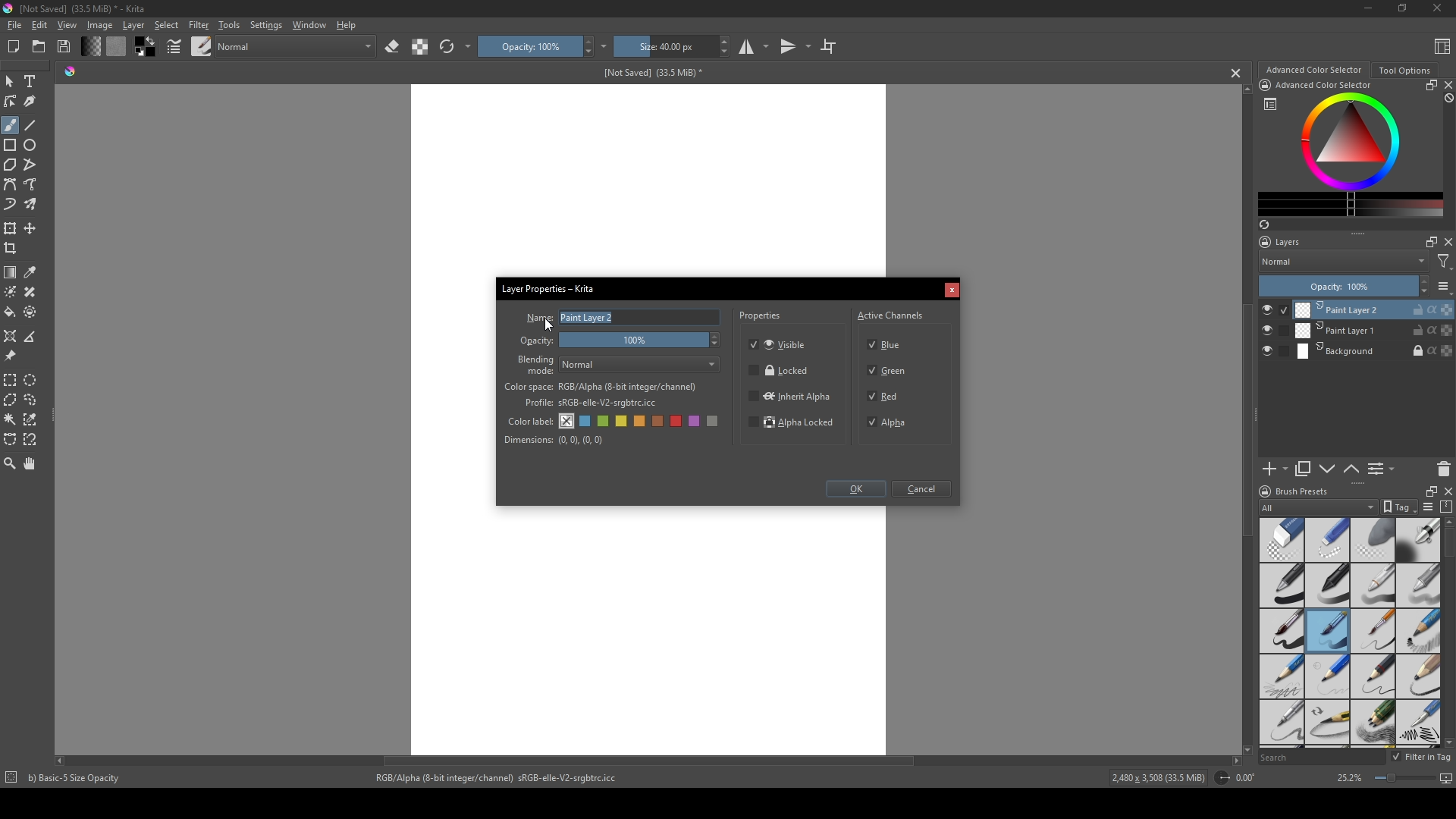 The height and width of the screenshot is (819, 1456). What do you see at coordinates (1303, 491) in the screenshot?
I see `Brush presets` at bounding box center [1303, 491].